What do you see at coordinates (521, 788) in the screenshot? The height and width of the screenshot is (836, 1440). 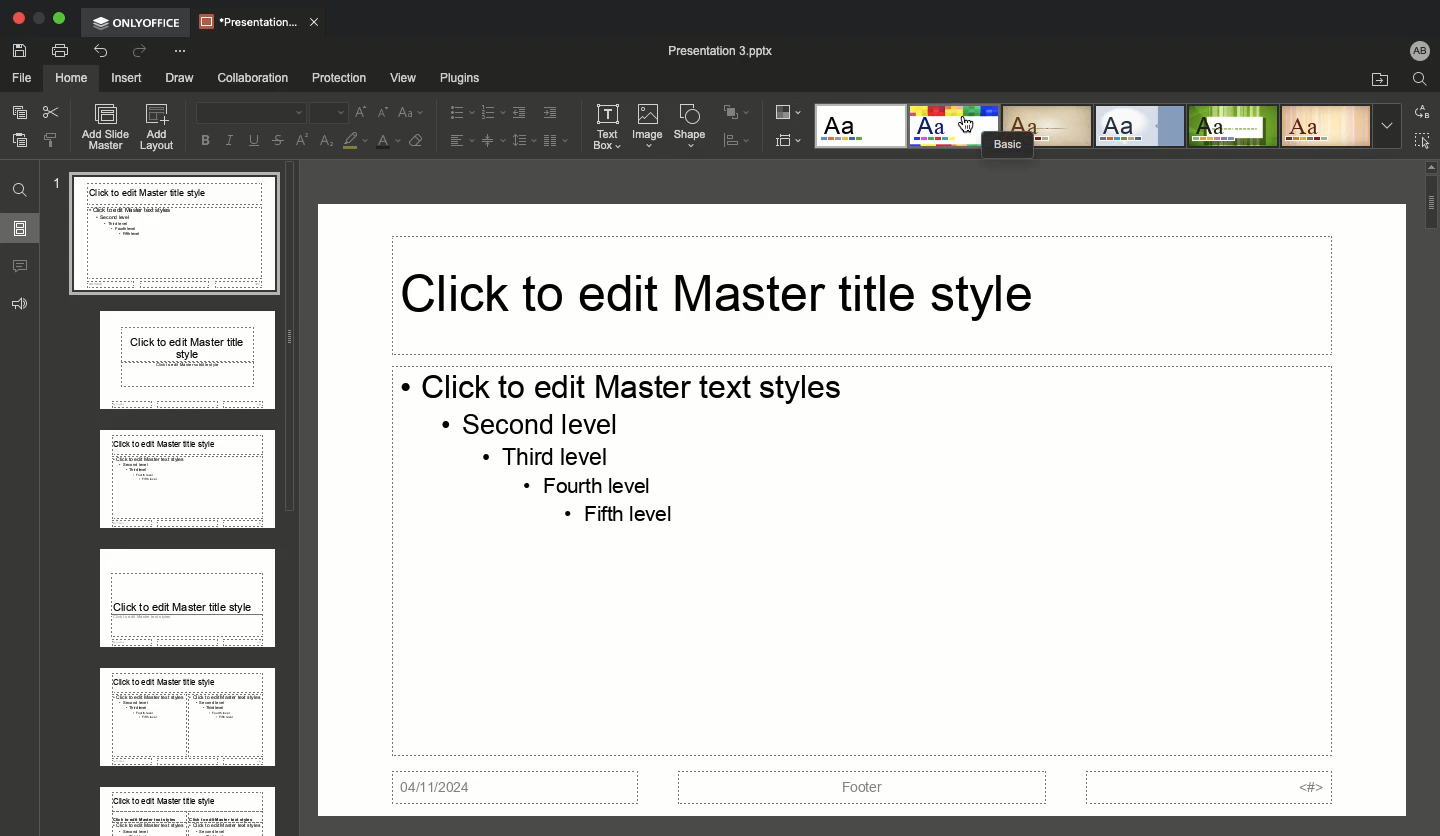 I see `04/11/2024` at bounding box center [521, 788].